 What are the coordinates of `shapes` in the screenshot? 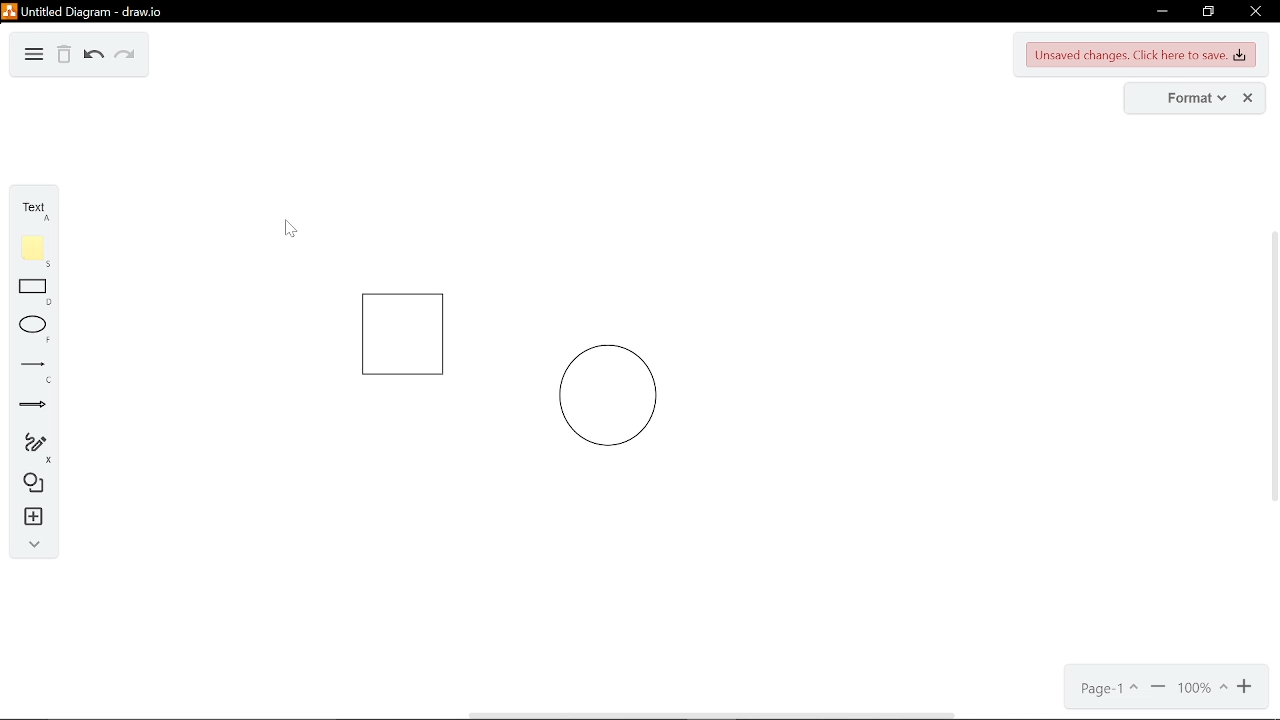 It's located at (30, 484).